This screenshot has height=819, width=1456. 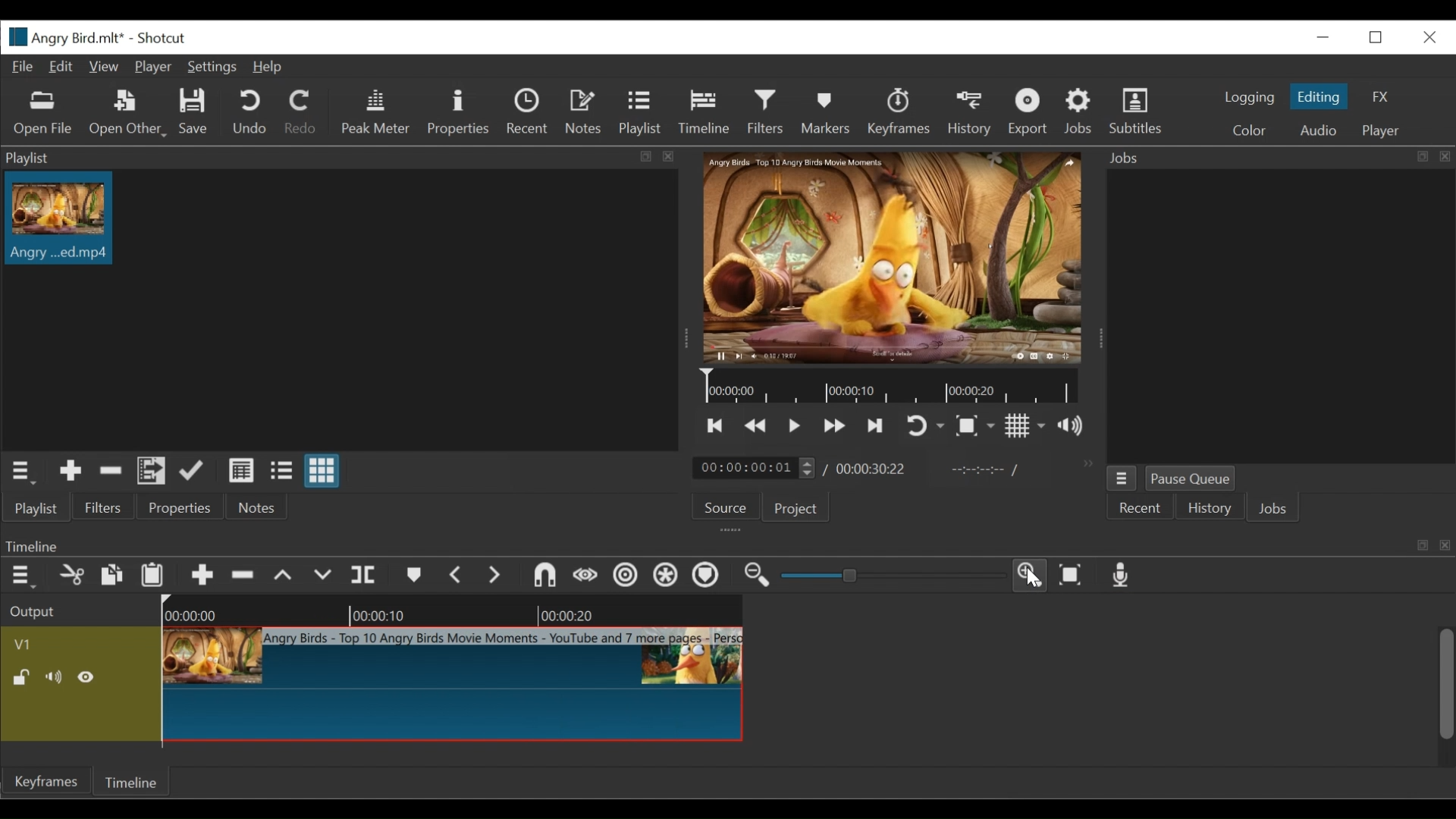 What do you see at coordinates (1428, 38) in the screenshot?
I see `Close` at bounding box center [1428, 38].